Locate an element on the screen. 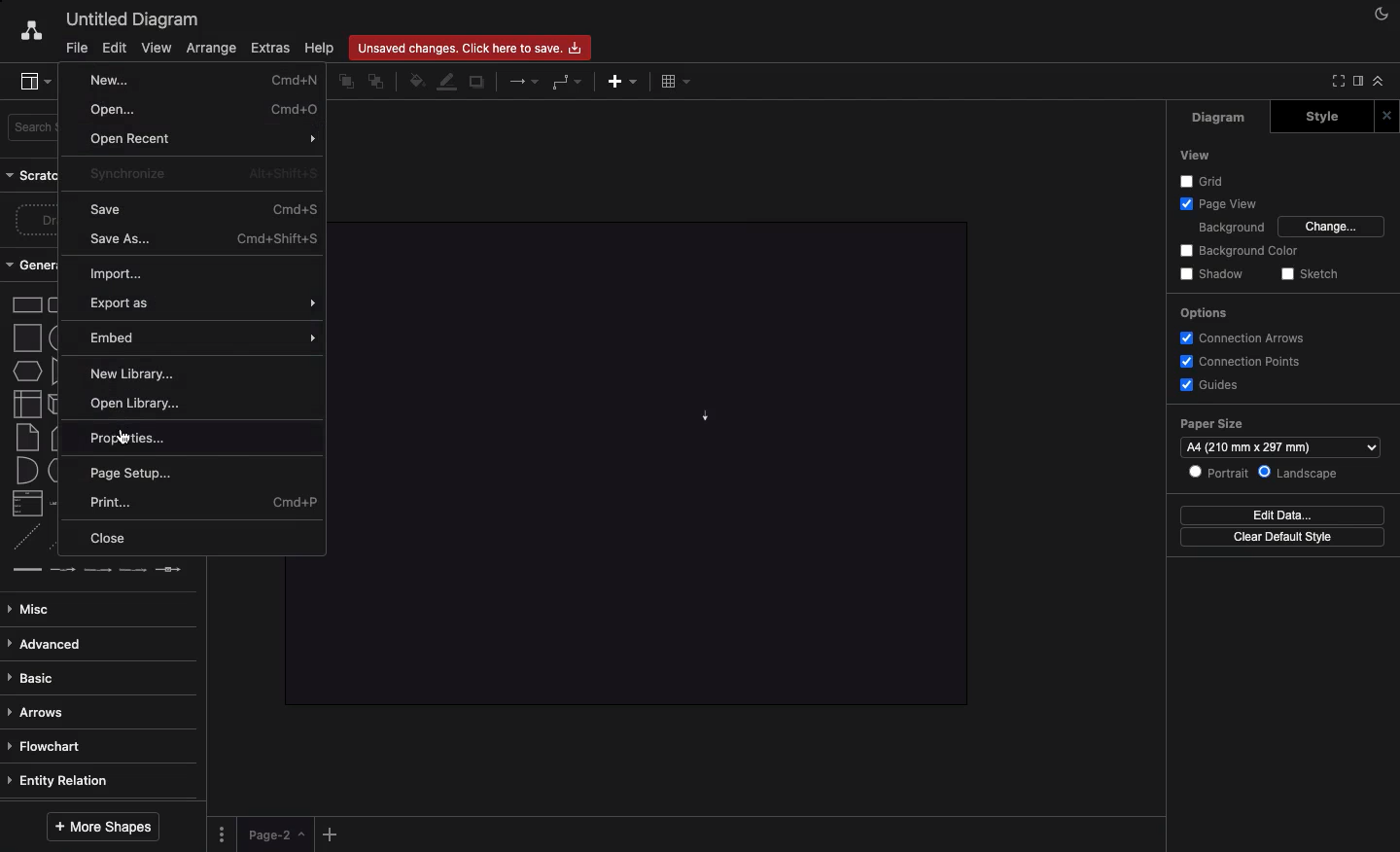 The image size is (1400, 852). Embed is located at coordinates (205, 338).